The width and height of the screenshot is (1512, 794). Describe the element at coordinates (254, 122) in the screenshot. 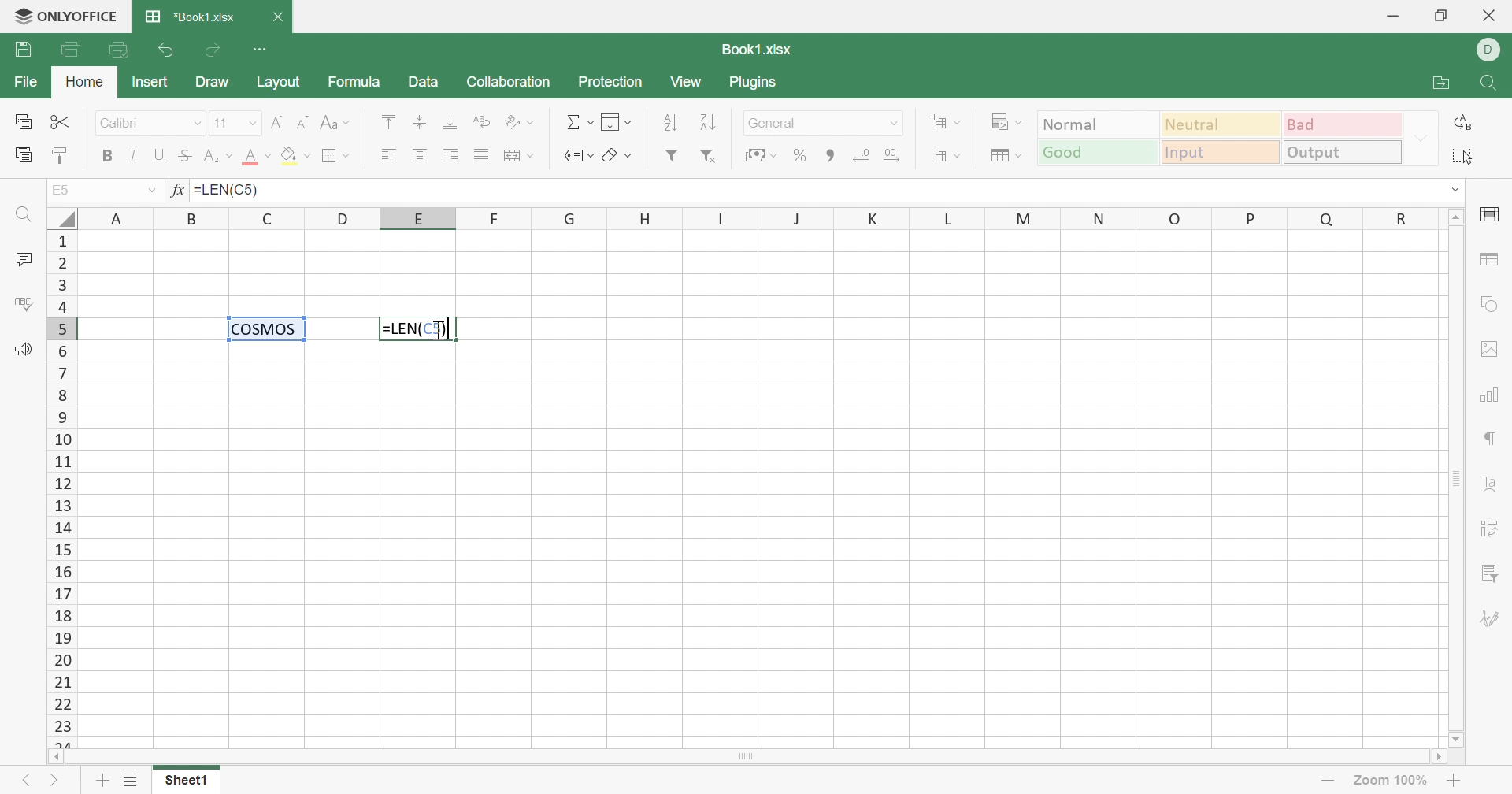

I see `Drop down` at that location.